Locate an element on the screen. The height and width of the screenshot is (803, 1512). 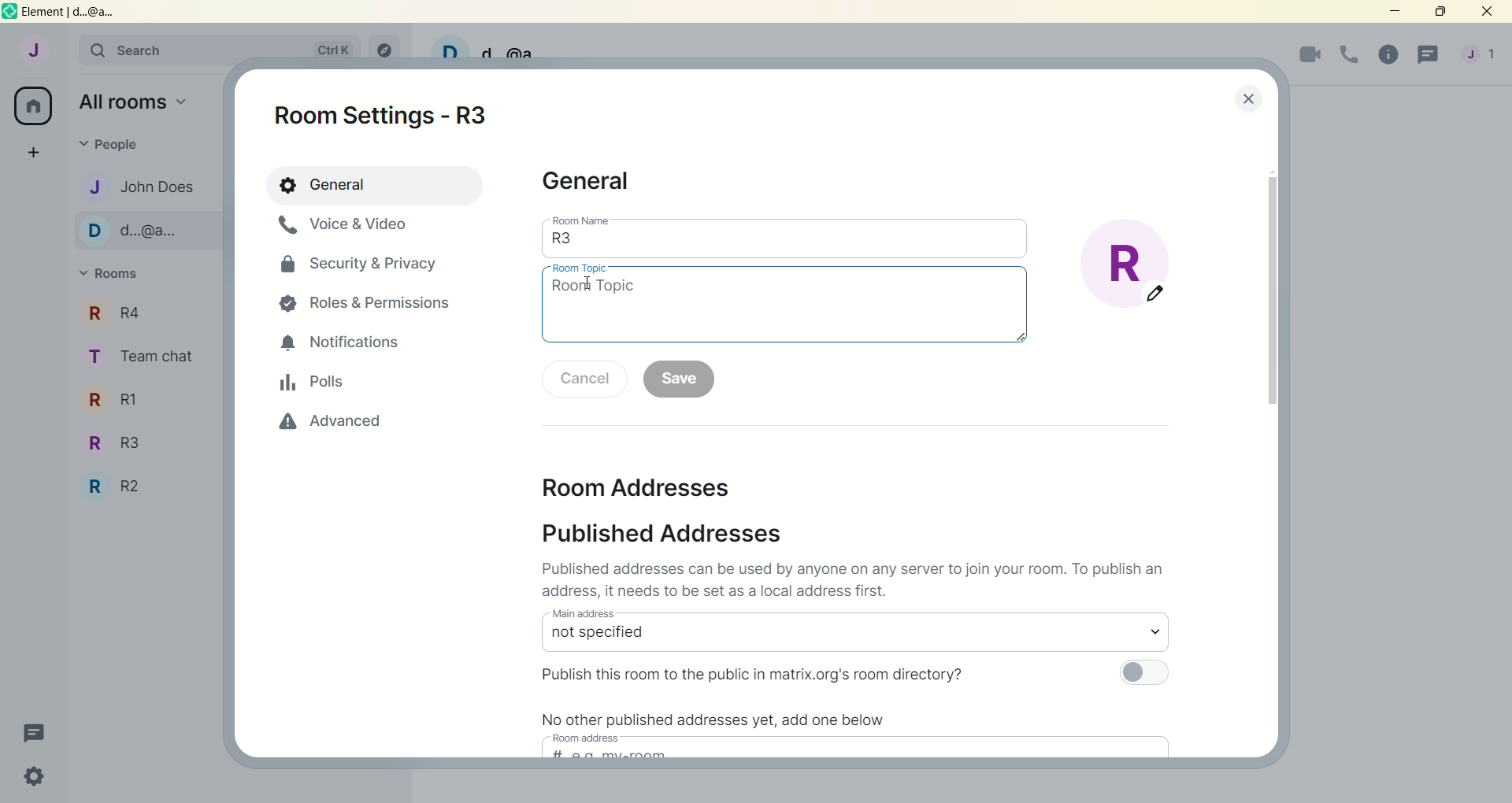
voice and video is located at coordinates (360, 226).